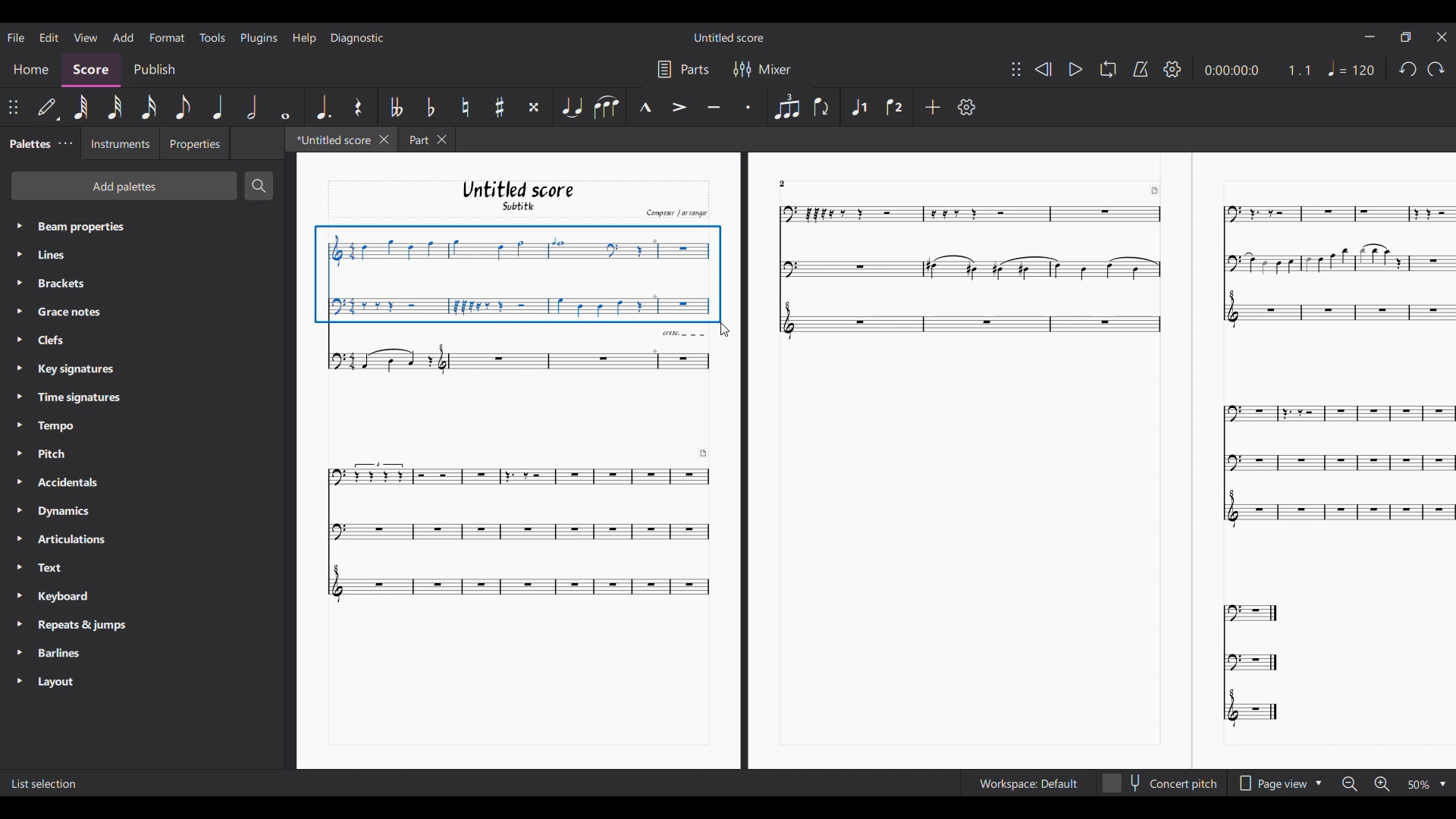 Image resolution: width=1456 pixels, height=819 pixels. What do you see at coordinates (17, 400) in the screenshot?
I see `` at bounding box center [17, 400].